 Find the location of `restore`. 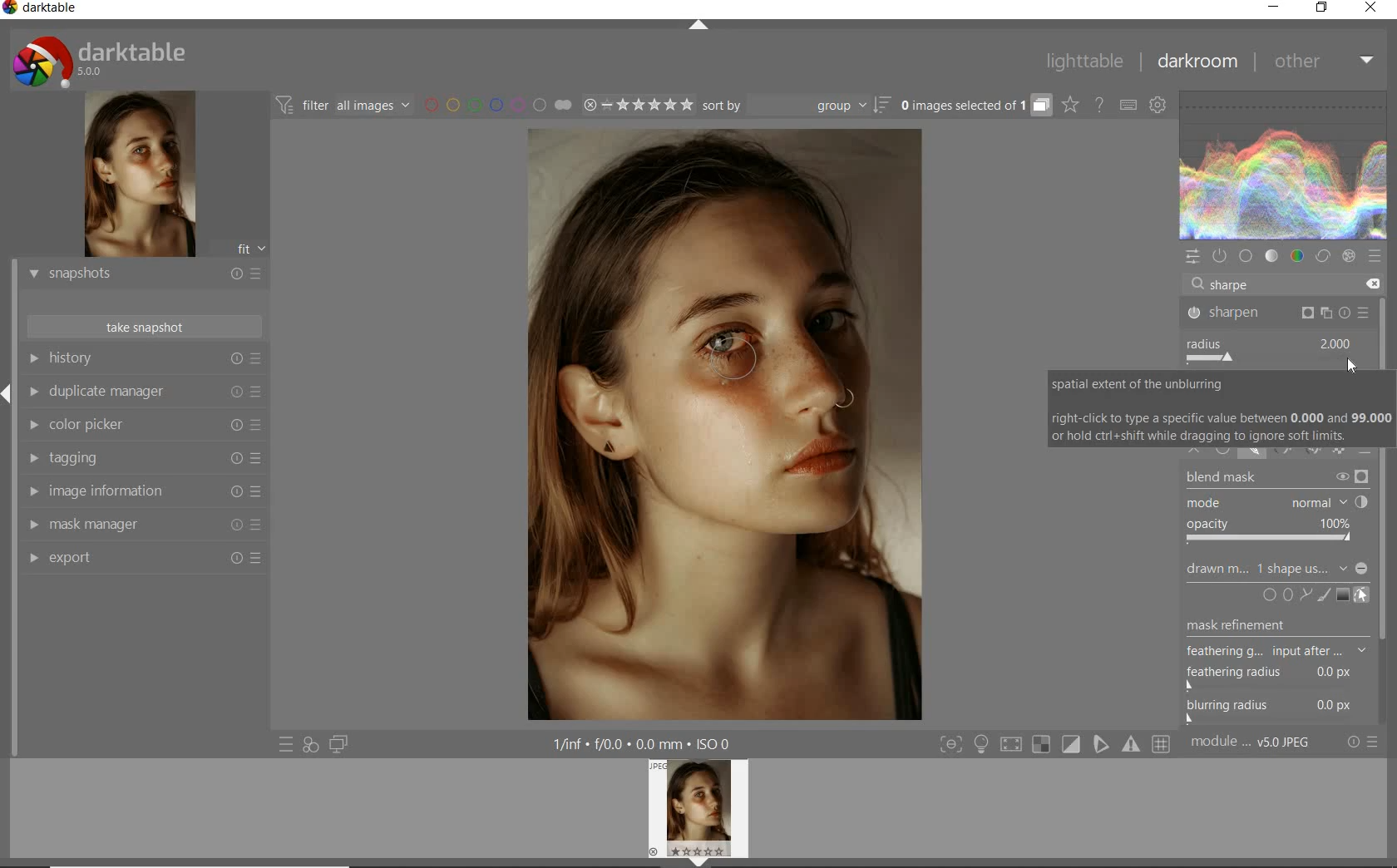

restore is located at coordinates (1322, 7).